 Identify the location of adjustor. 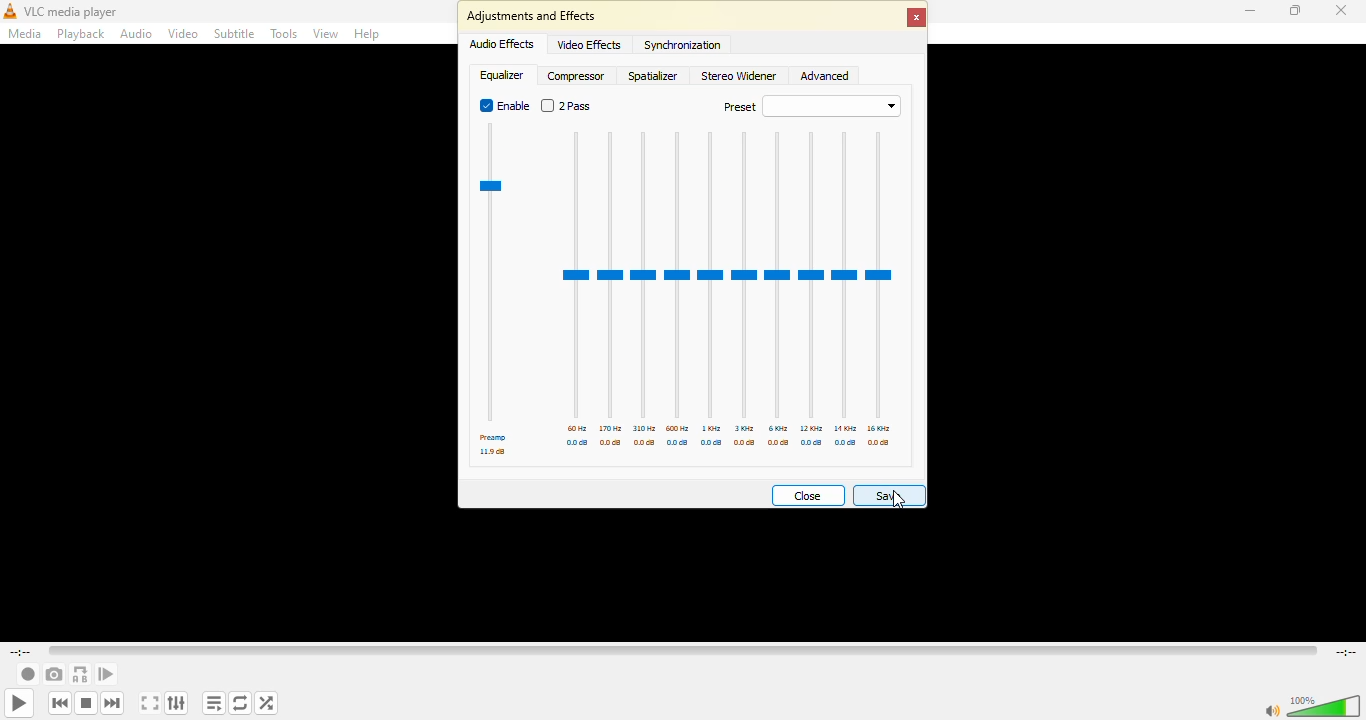
(711, 275).